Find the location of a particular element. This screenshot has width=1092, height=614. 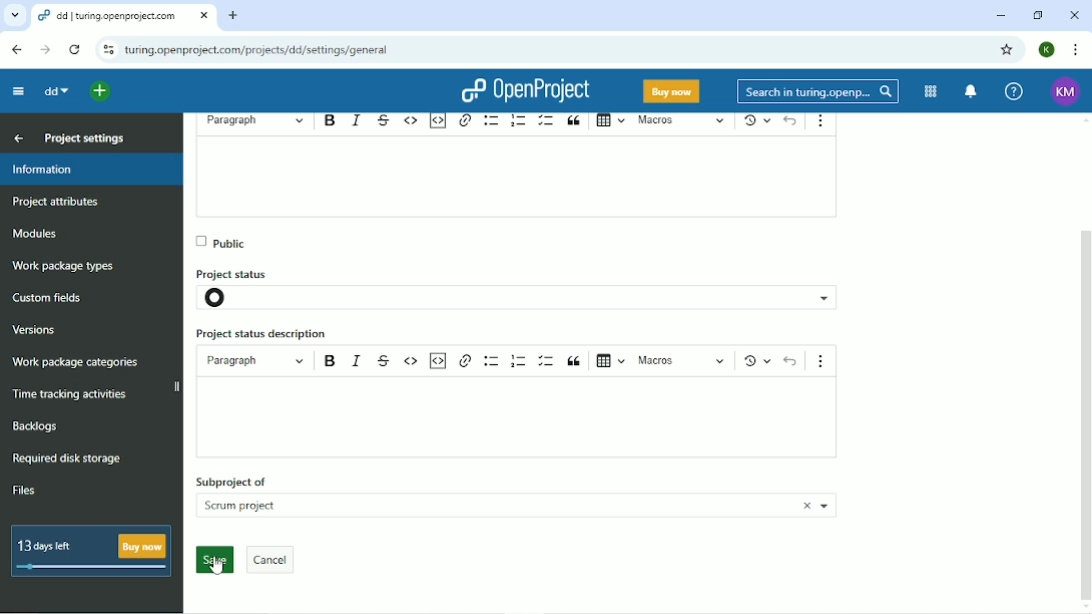

Numbered list is located at coordinates (518, 122).